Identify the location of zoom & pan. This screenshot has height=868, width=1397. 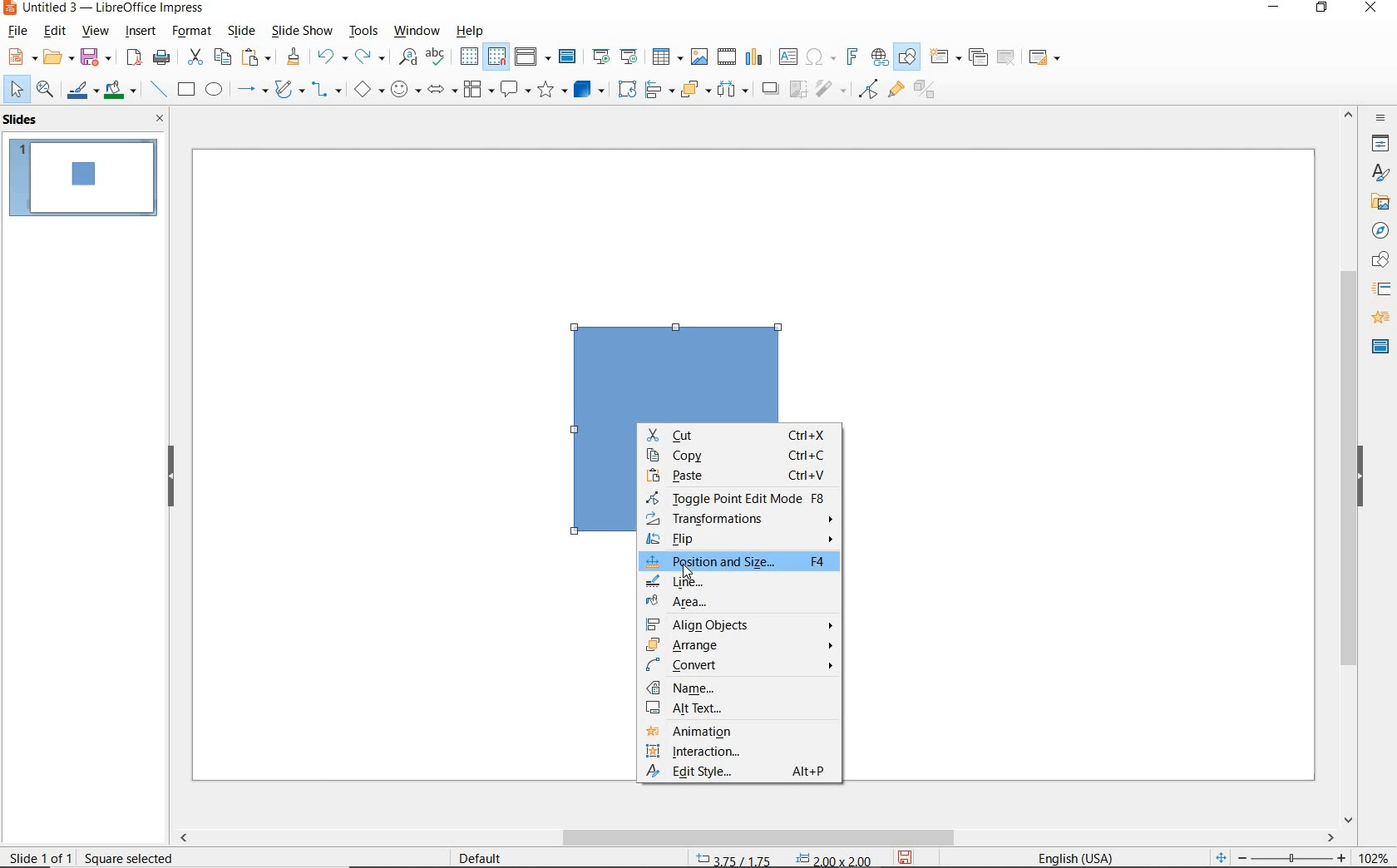
(44, 89).